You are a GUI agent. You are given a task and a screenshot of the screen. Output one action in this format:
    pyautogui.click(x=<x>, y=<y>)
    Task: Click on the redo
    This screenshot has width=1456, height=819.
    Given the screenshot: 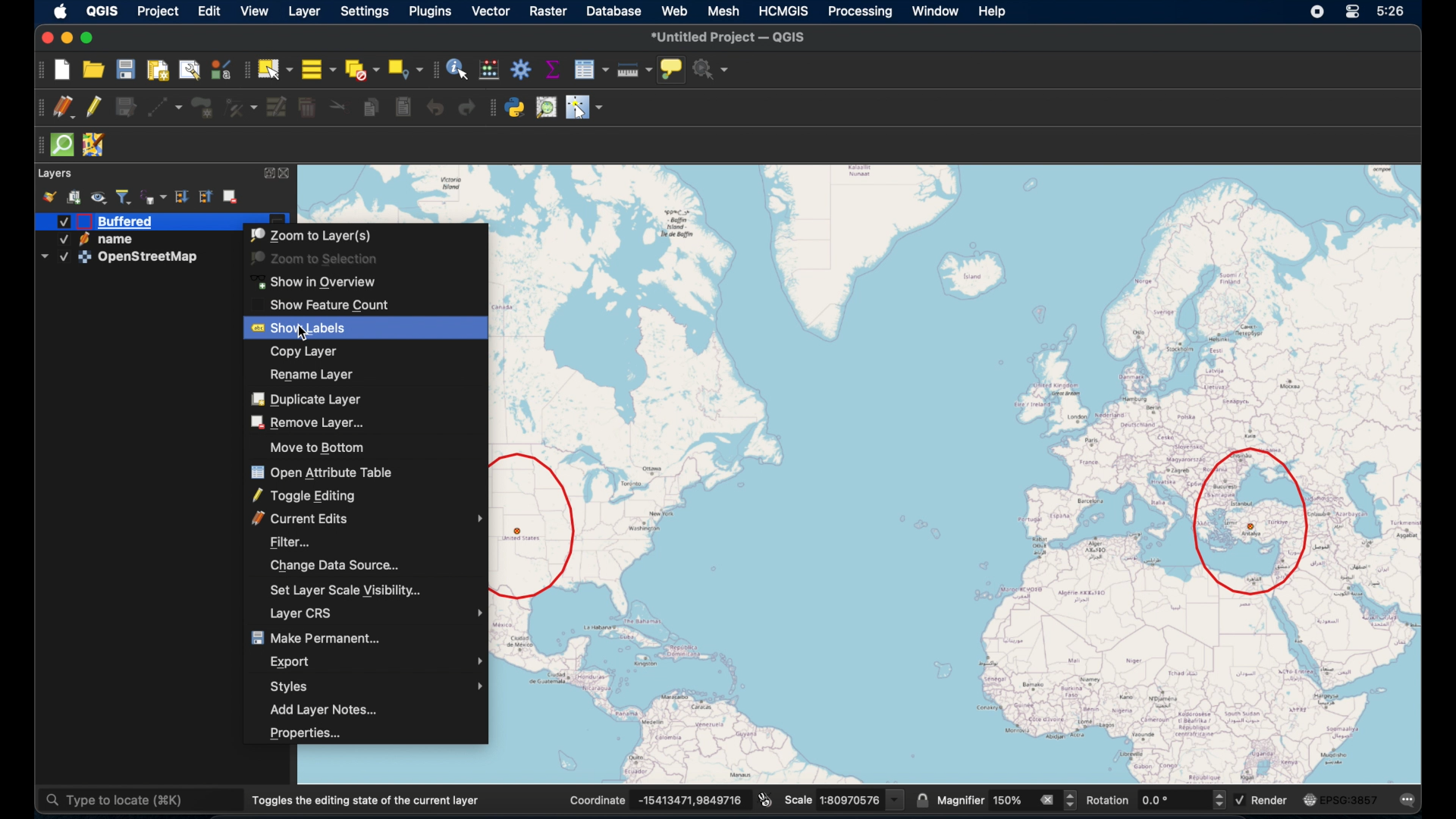 What is the action you would take?
    pyautogui.click(x=466, y=108)
    